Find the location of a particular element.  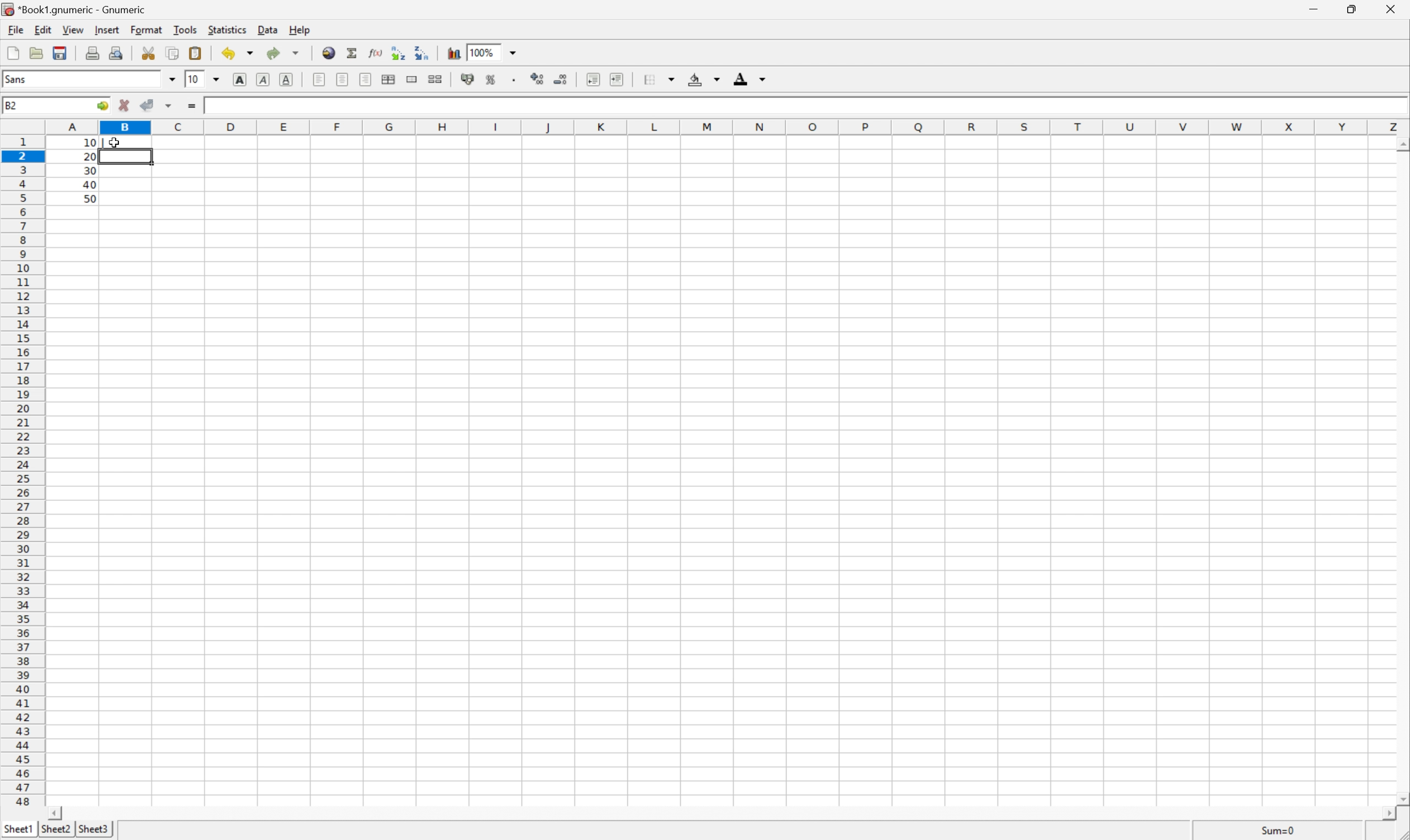

Sheet2 is located at coordinates (57, 830).